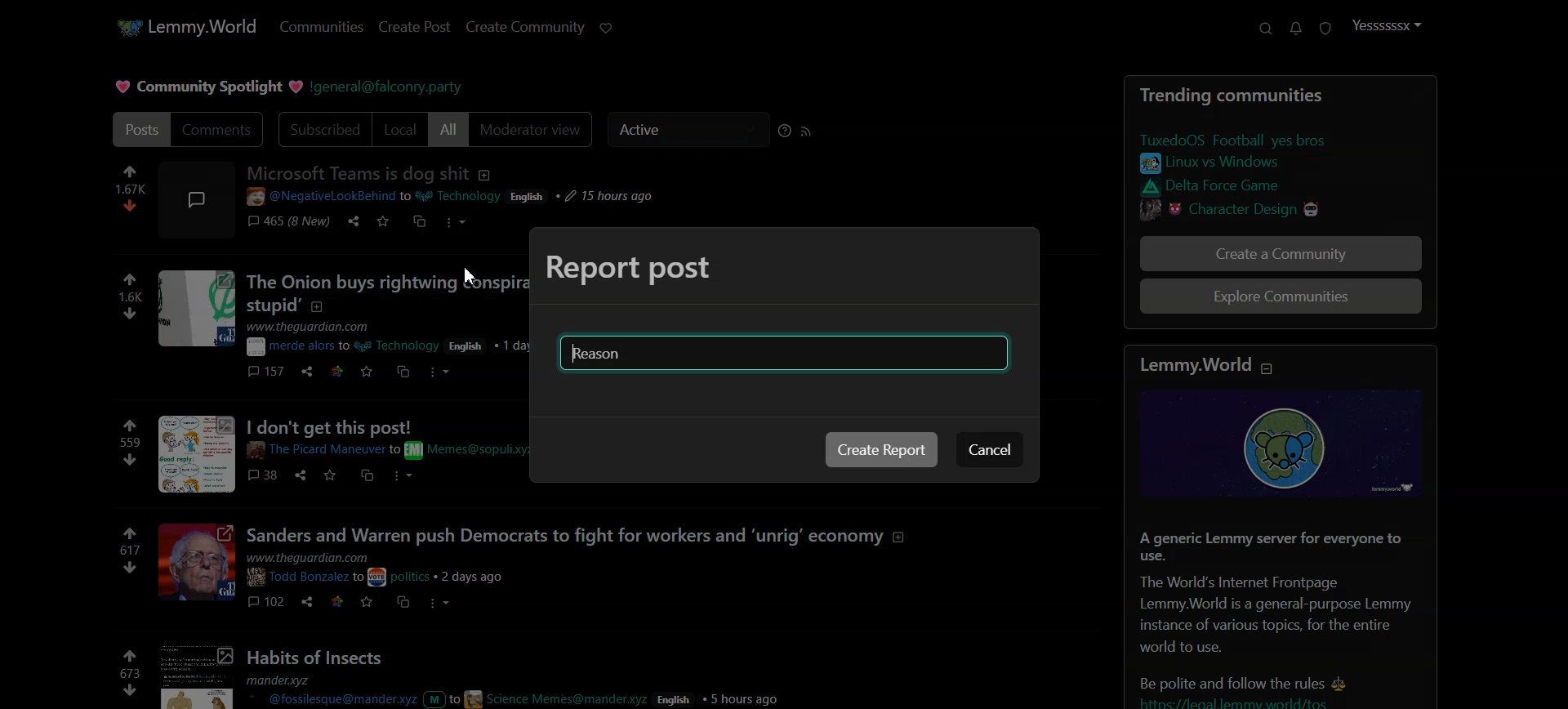  Describe the element at coordinates (771, 353) in the screenshot. I see `Typing window` at that location.